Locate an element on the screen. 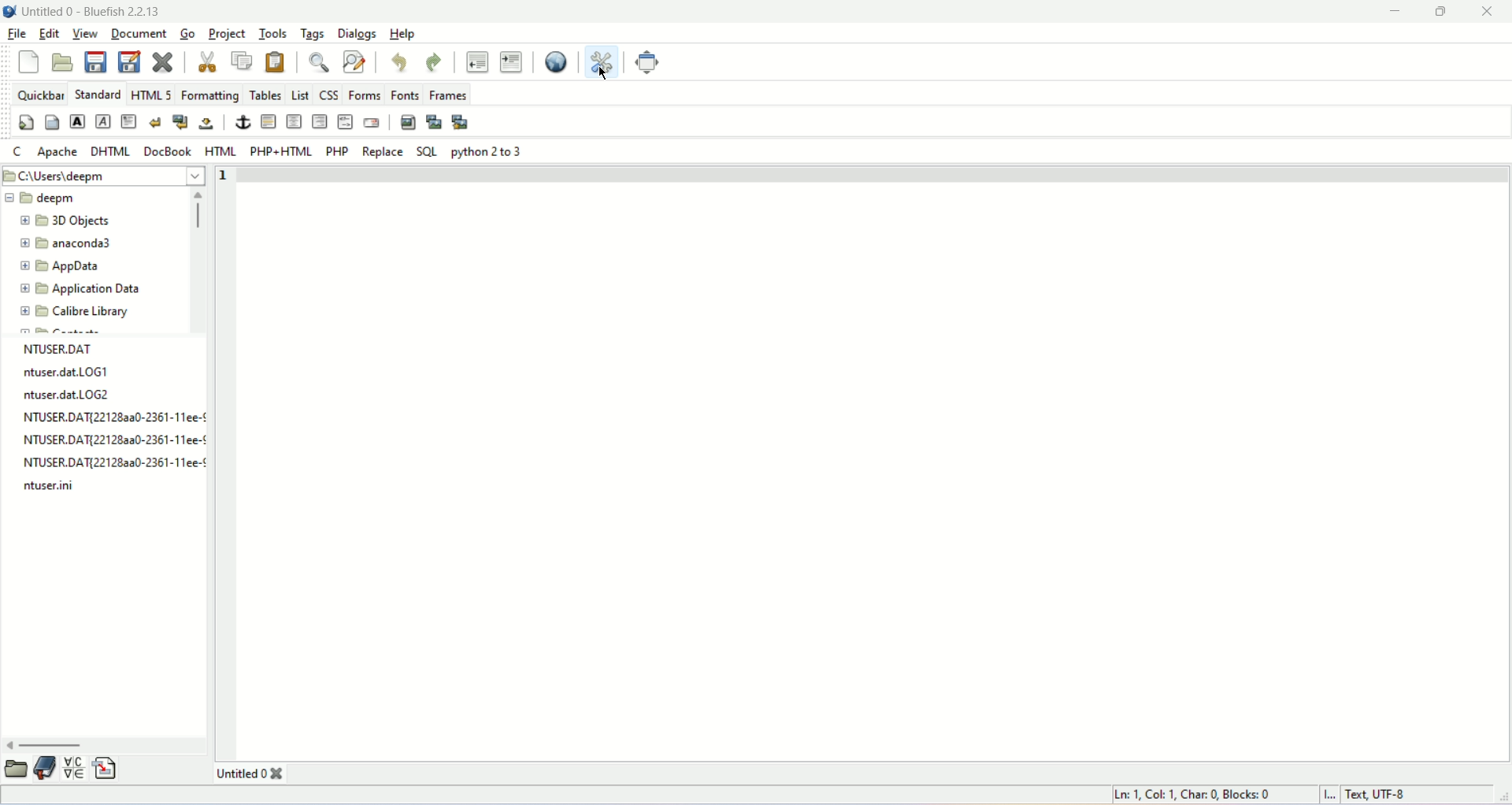 Image resolution: width=1512 pixels, height=805 pixels. logo is located at coordinates (9, 10).